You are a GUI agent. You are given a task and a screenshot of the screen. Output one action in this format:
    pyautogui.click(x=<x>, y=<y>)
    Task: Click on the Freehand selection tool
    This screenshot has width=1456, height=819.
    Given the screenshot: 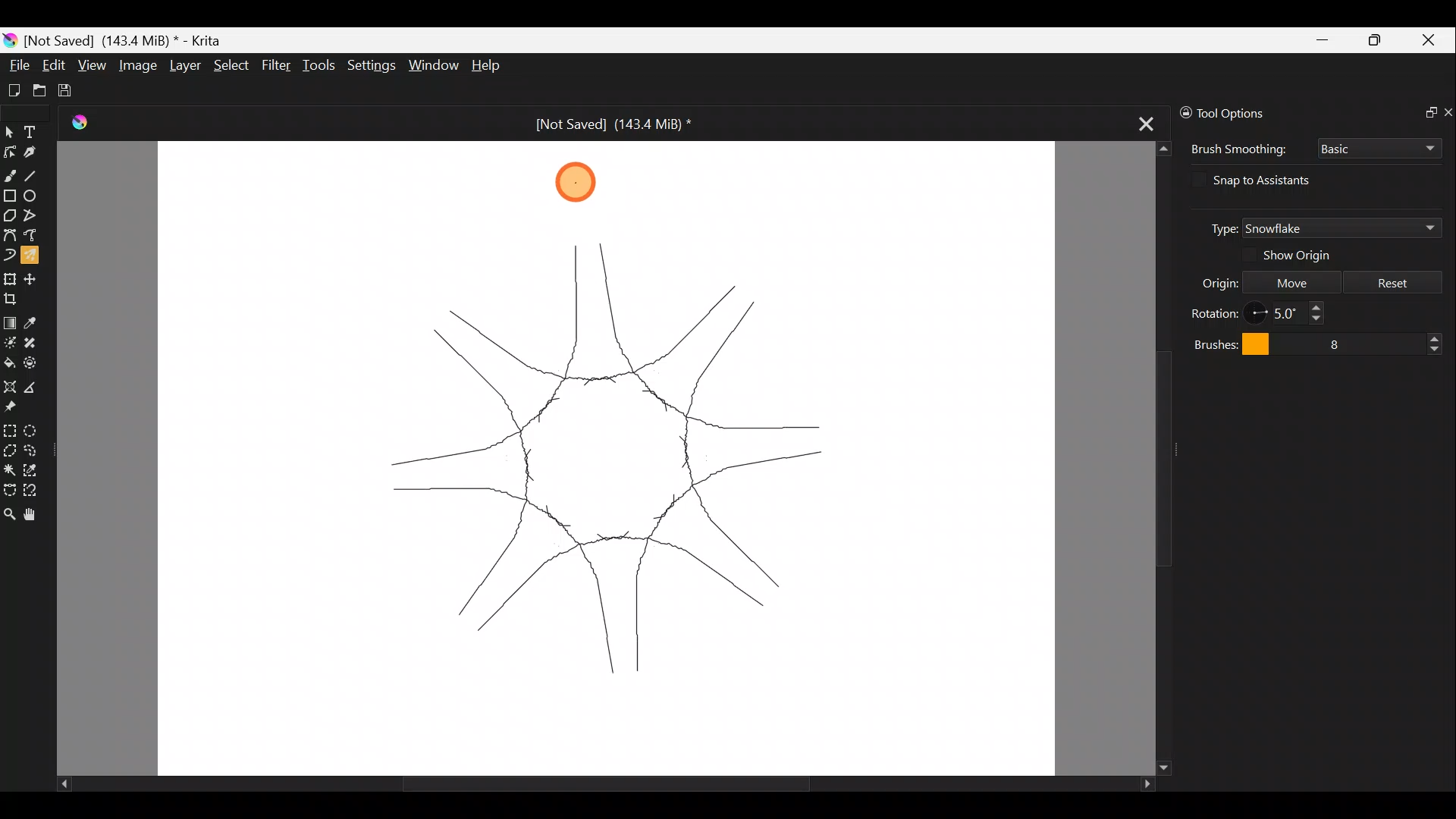 What is the action you would take?
    pyautogui.click(x=33, y=450)
    